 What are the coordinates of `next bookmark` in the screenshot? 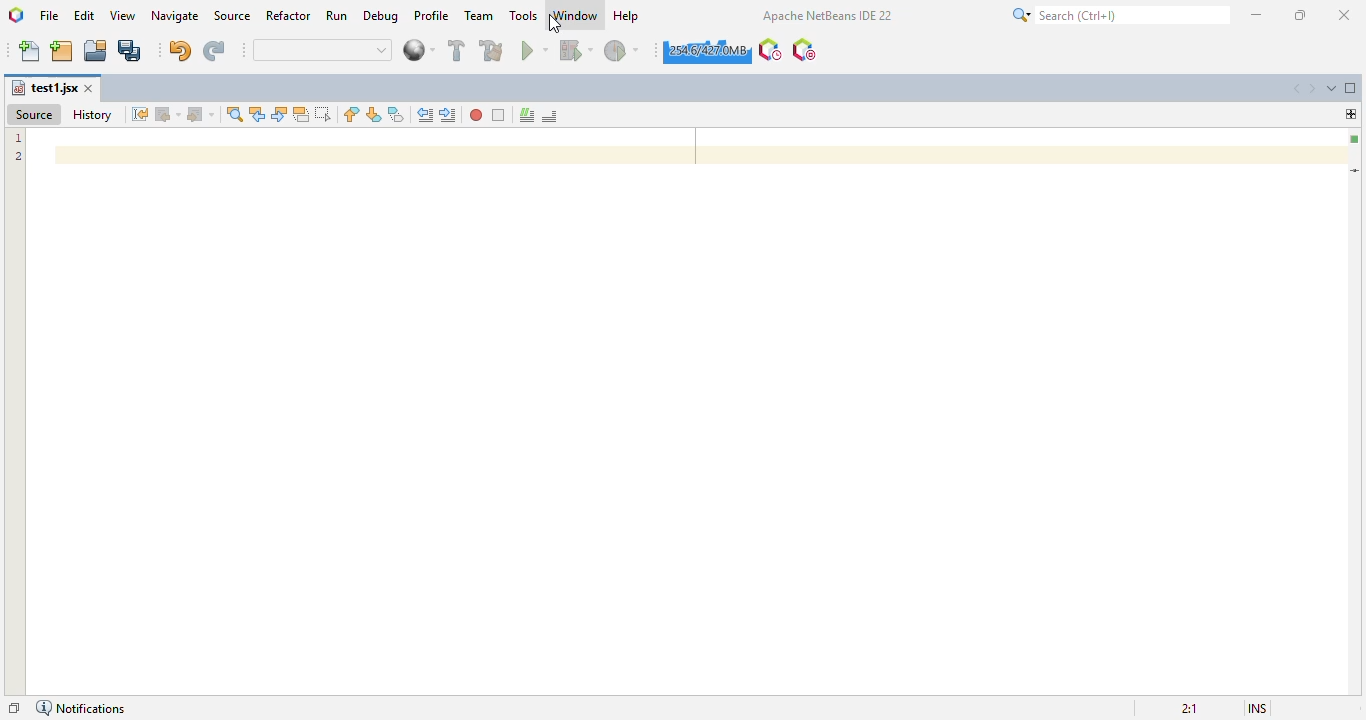 It's located at (374, 114).